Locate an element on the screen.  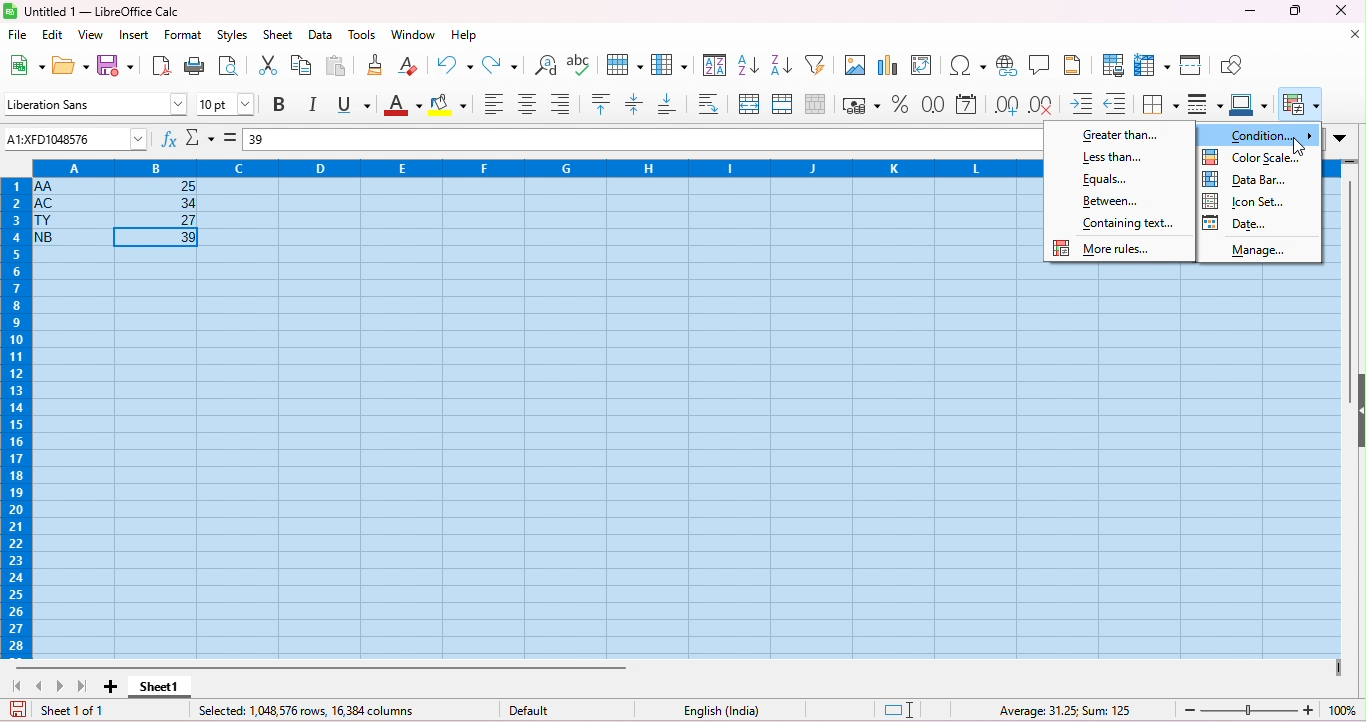
insert special characters is located at coordinates (968, 66).